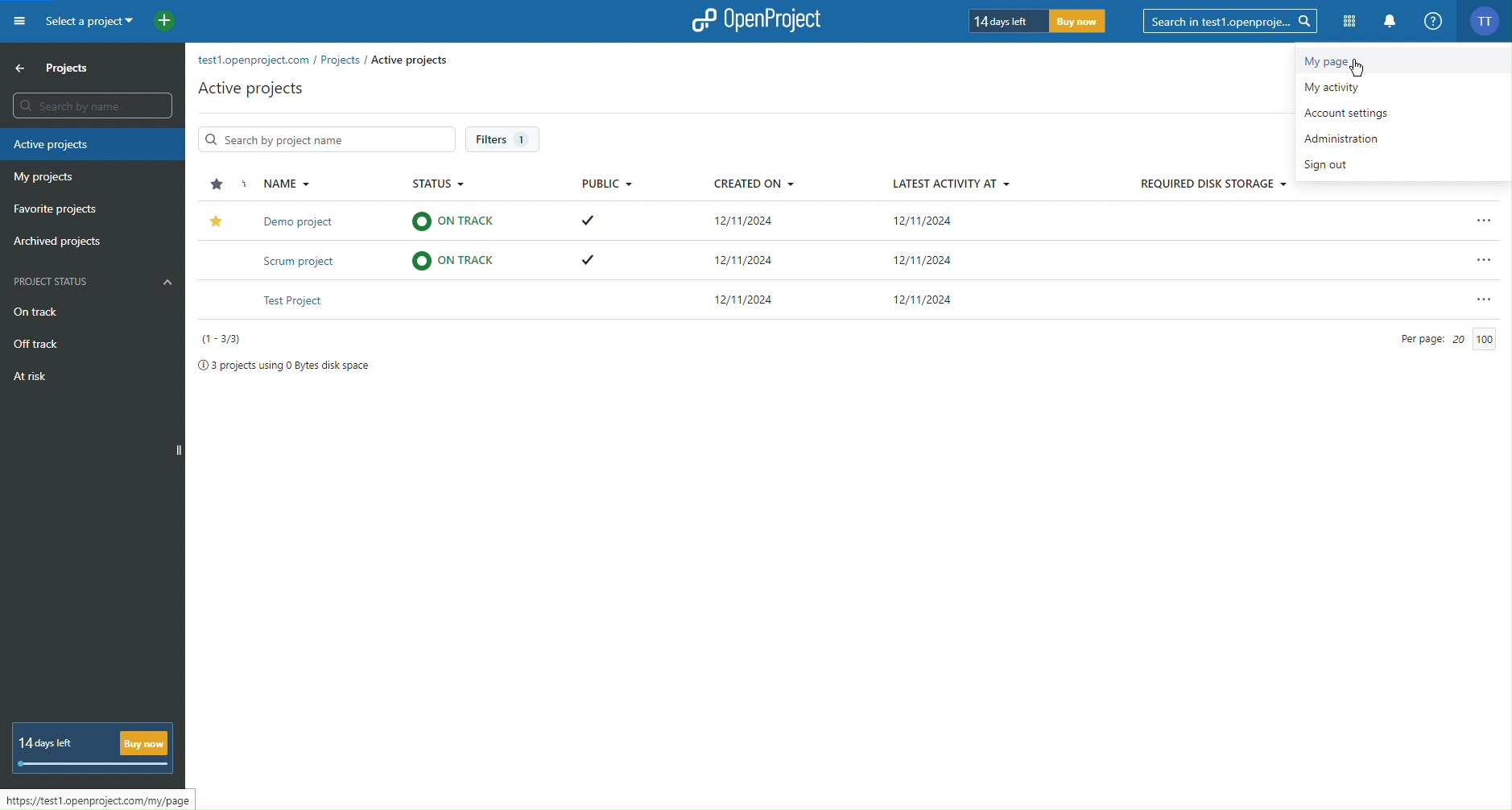  What do you see at coordinates (36, 343) in the screenshot?
I see `Off track` at bounding box center [36, 343].